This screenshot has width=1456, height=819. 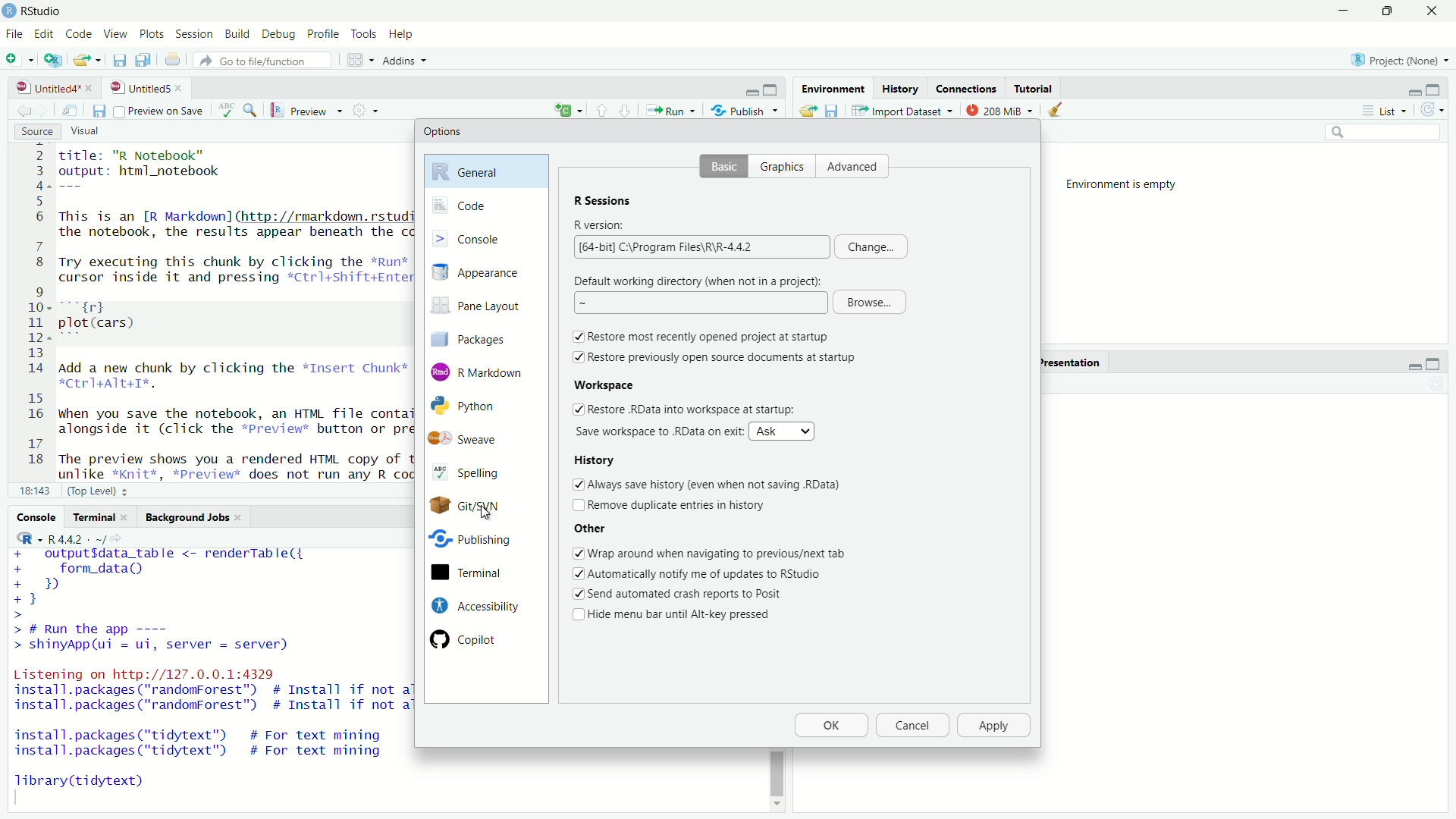 What do you see at coordinates (599, 459) in the screenshot?
I see `History` at bounding box center [599, 459].